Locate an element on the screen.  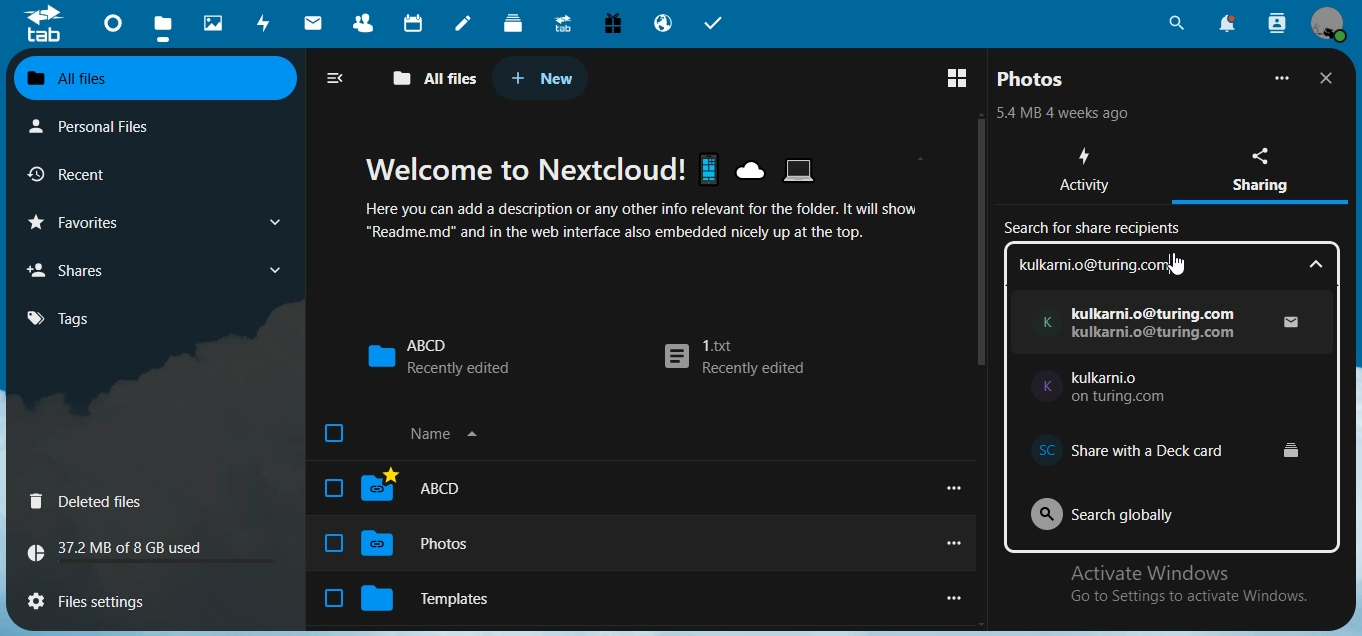
more options is located at coordinates (959, 544).